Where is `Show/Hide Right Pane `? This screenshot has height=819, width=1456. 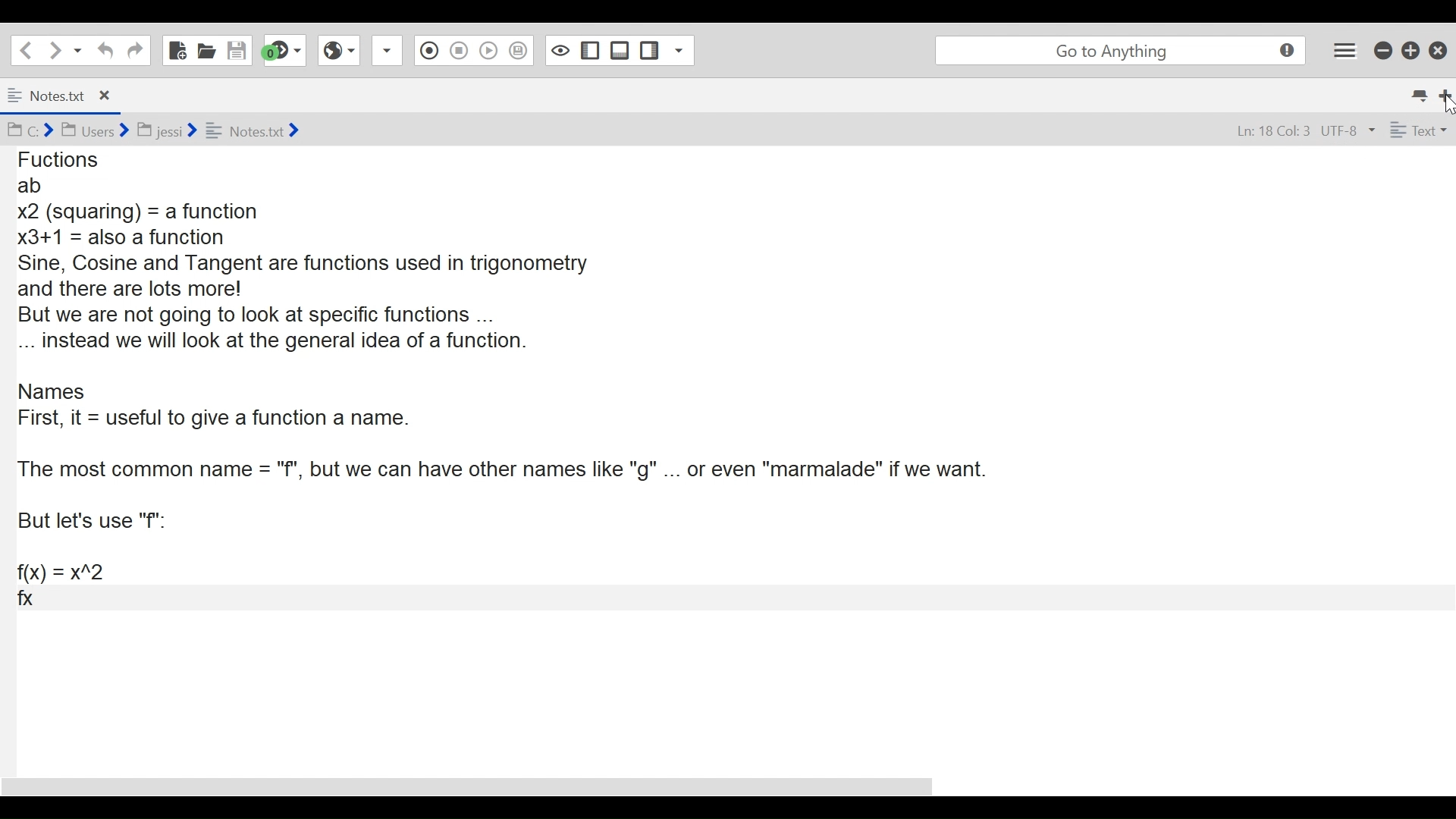
Show/Hide Right Pane  is located at coordinates (650, 50).